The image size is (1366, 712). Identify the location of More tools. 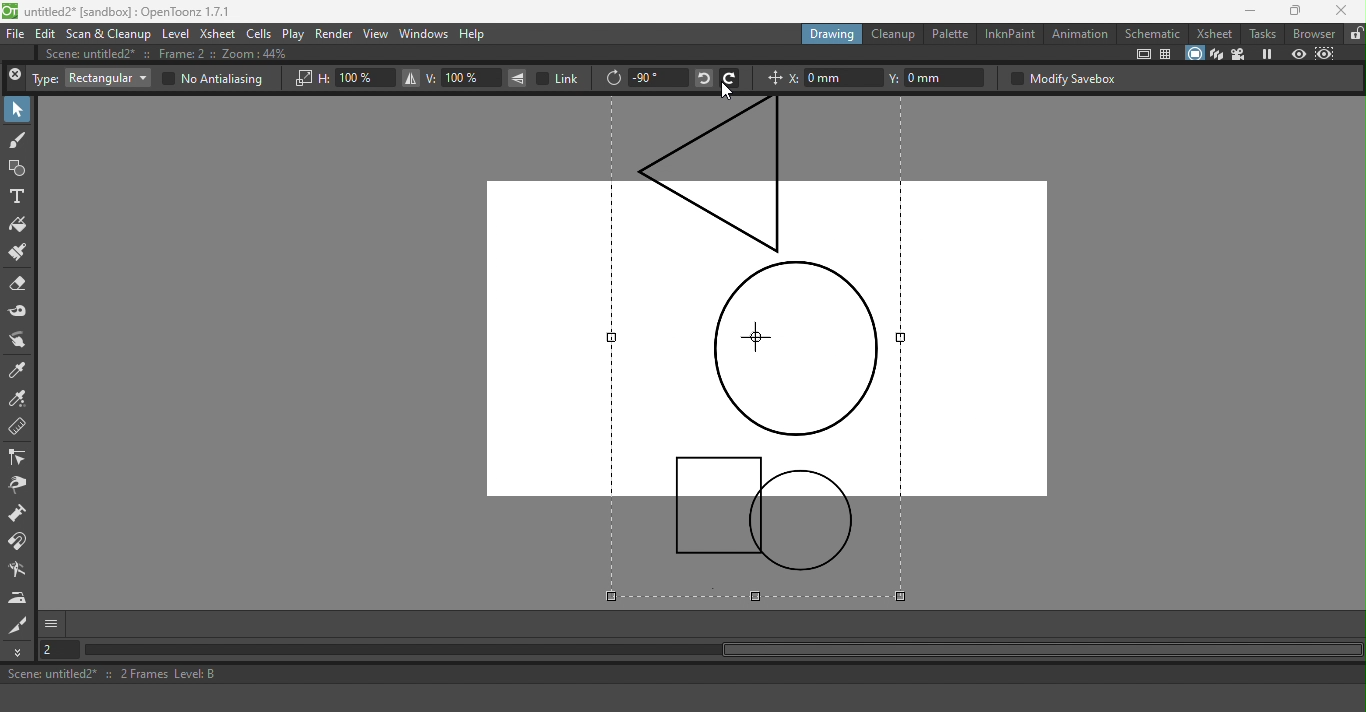
(20, 652).